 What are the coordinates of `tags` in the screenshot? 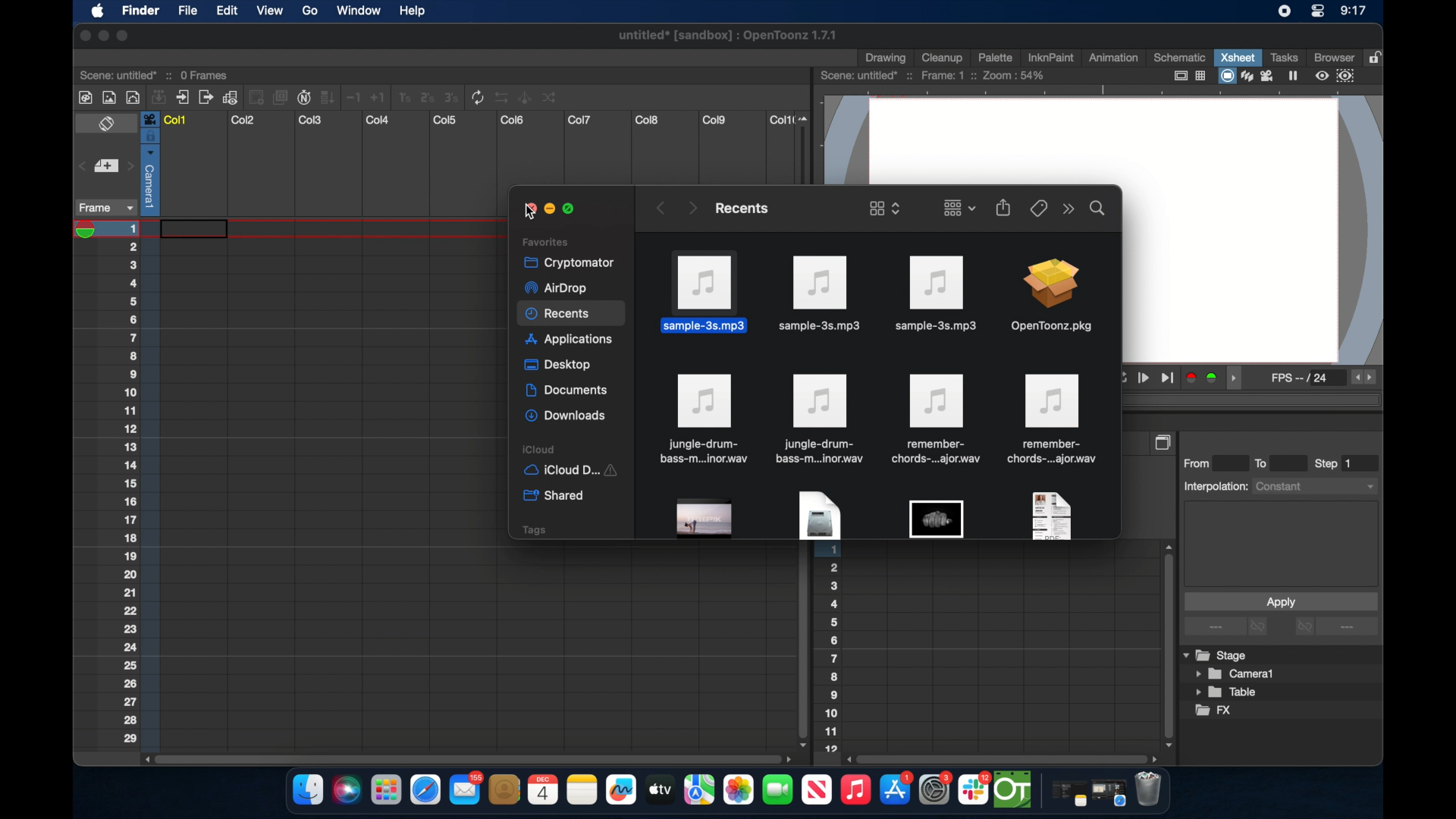 It's located at (533, 529).